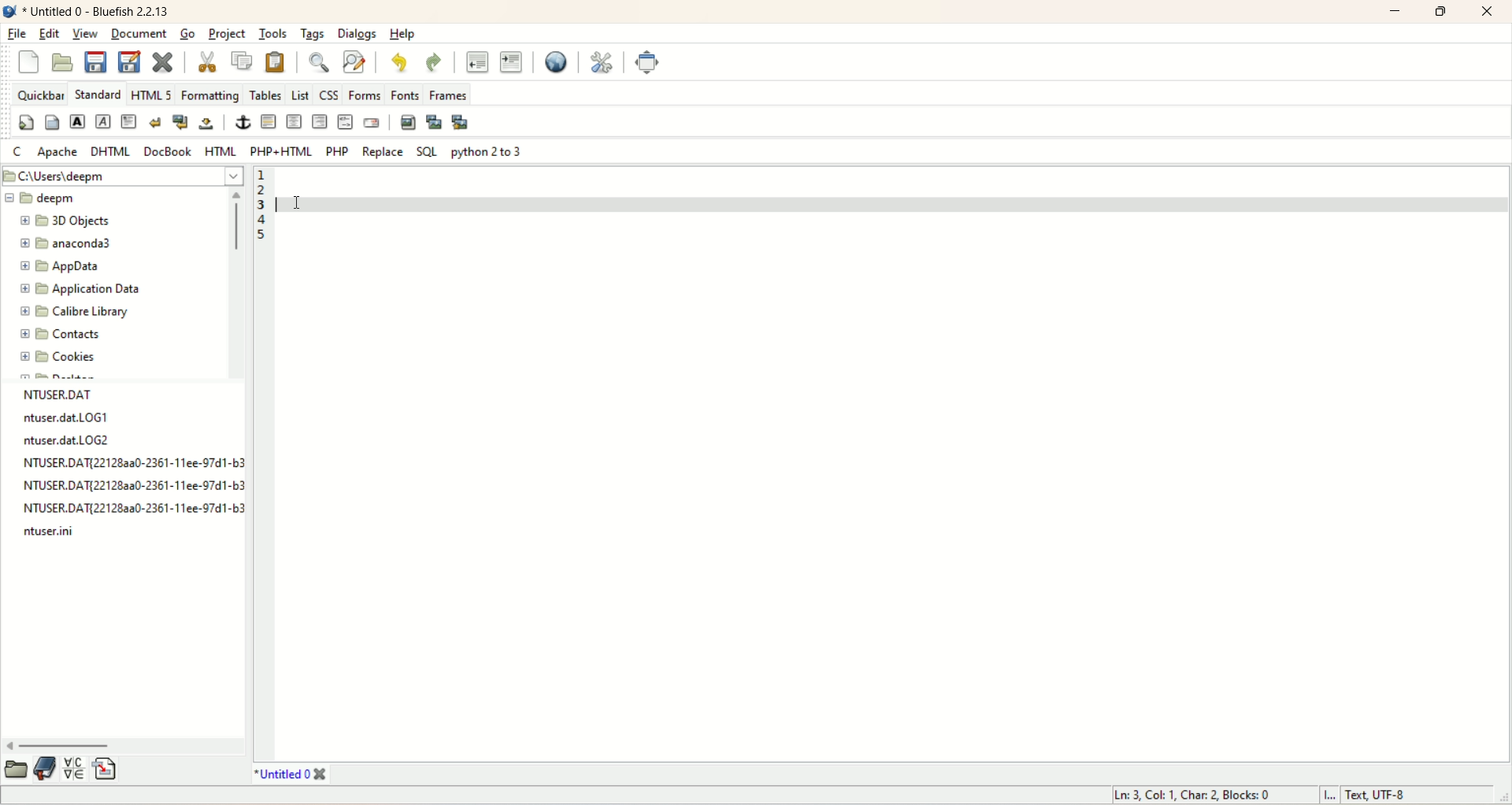 This screenshot has height=805, width=1512. I want to click on insert file, so click(110, 770).